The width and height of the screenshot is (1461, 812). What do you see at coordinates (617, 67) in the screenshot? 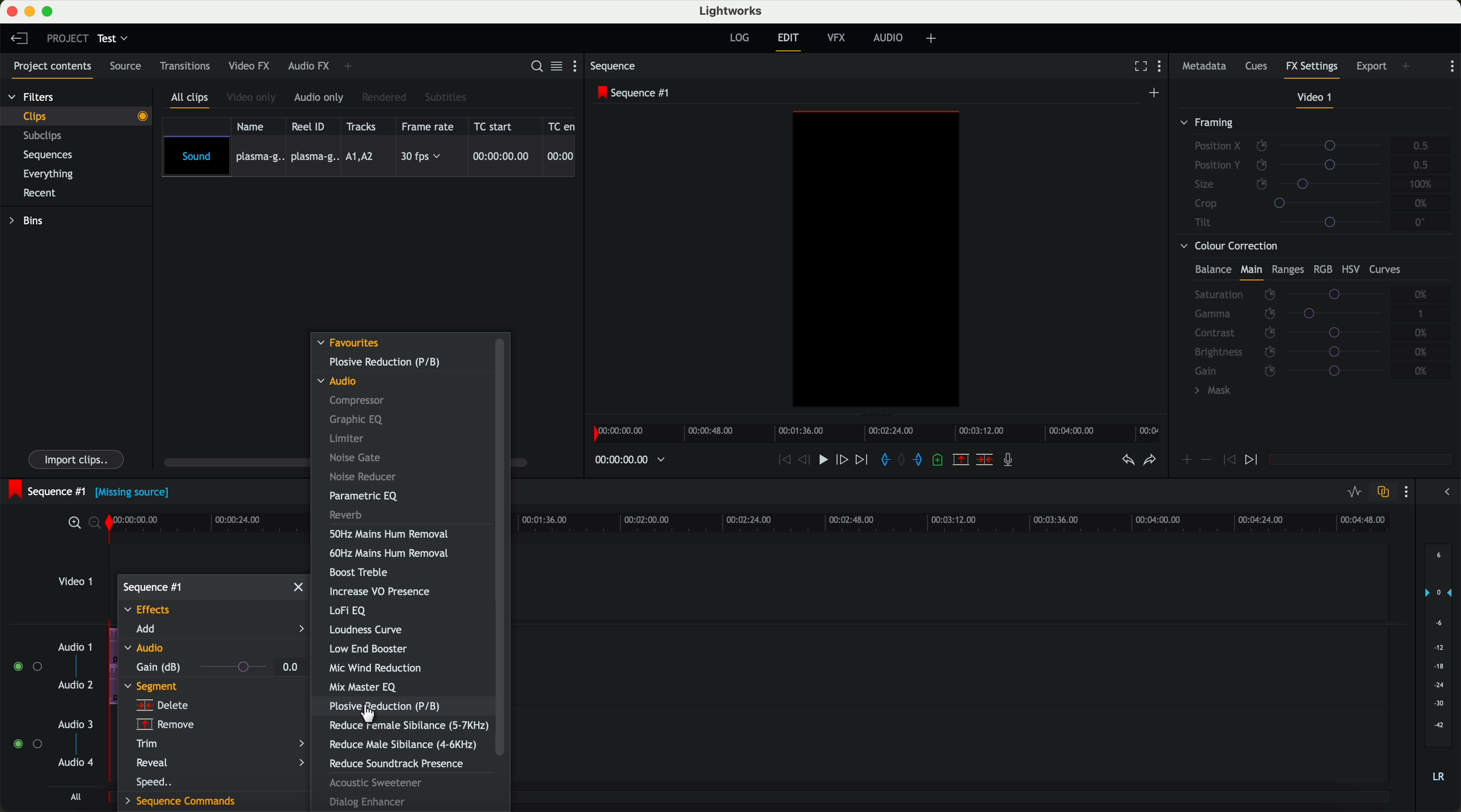
I see `sequence` at bounding box center [617, 67].